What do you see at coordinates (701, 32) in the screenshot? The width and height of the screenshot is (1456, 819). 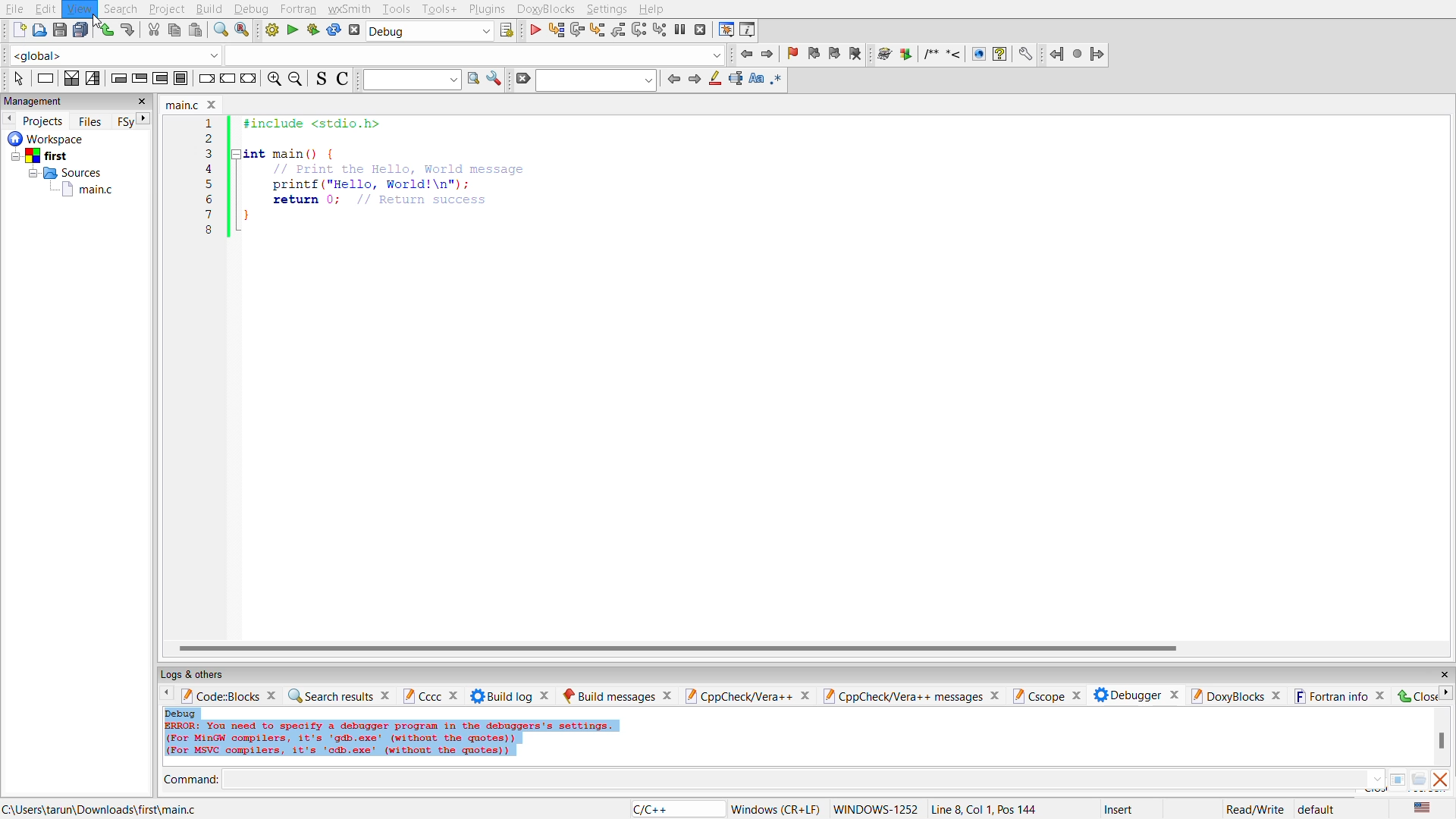 I see `stop debugger` at bounding box center [701, 32].